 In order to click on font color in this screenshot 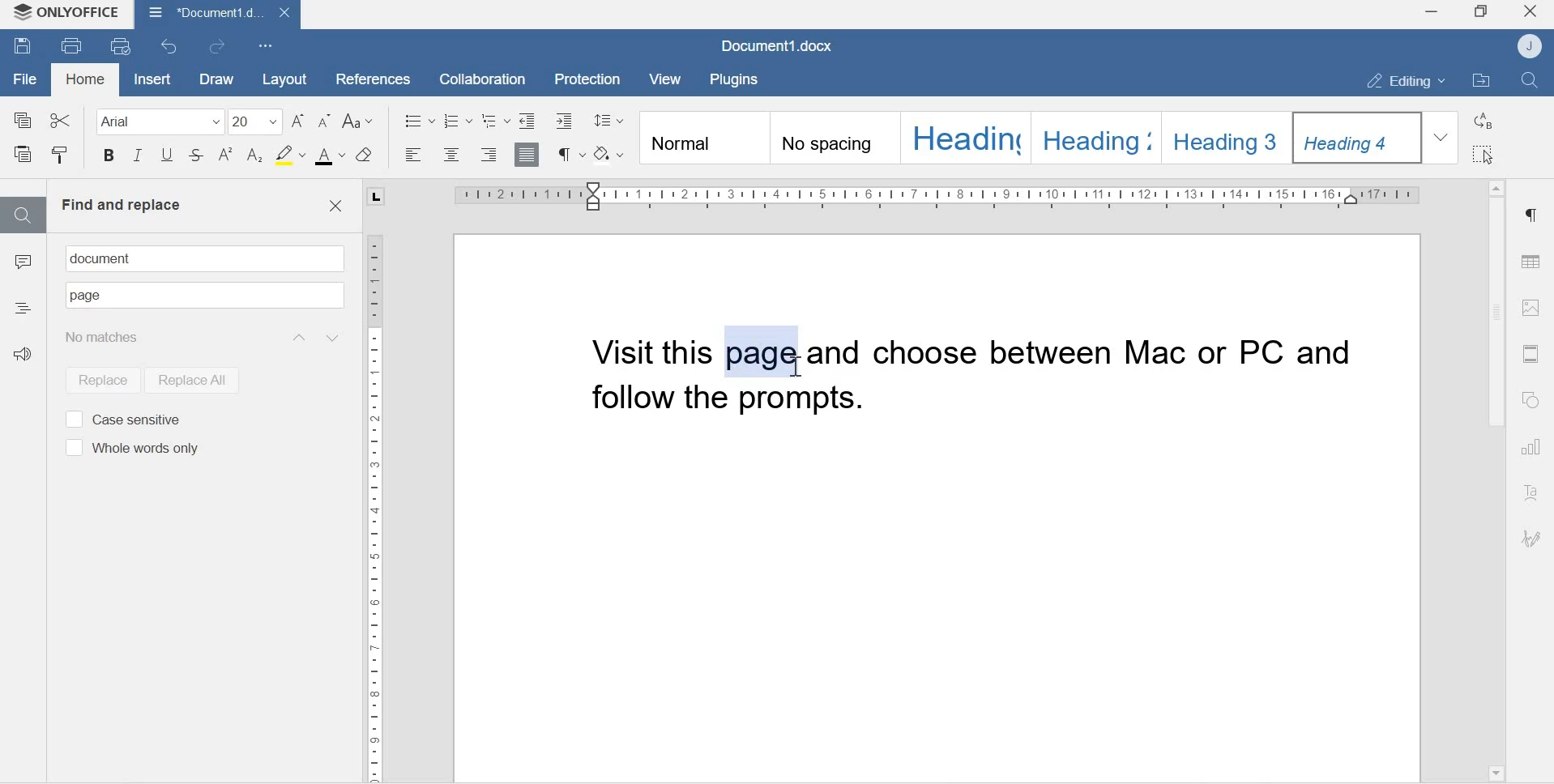, I will do `click(331, 156)`.